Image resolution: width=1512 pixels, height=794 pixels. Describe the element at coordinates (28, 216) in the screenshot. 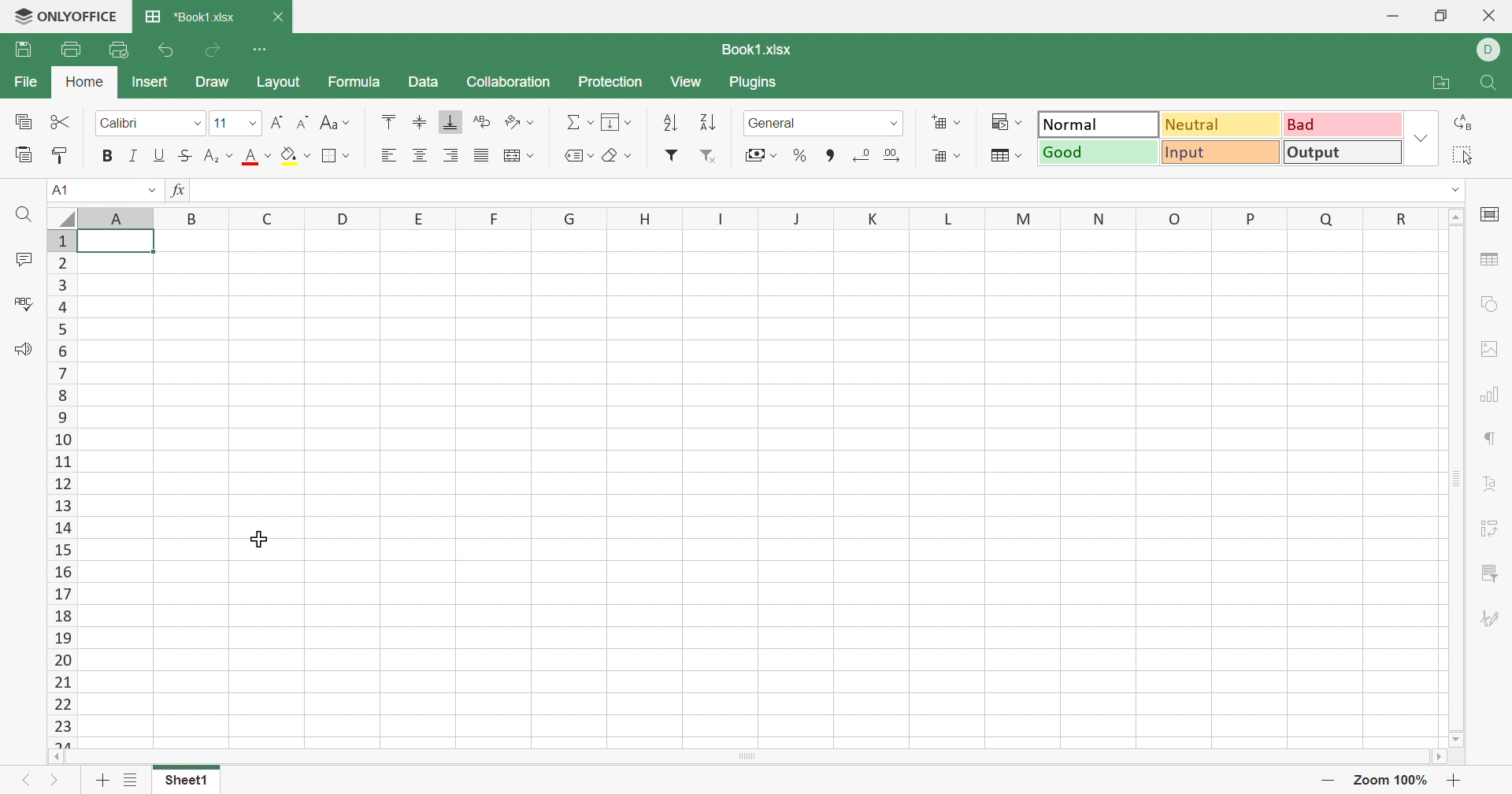

I see `Find` at that location.